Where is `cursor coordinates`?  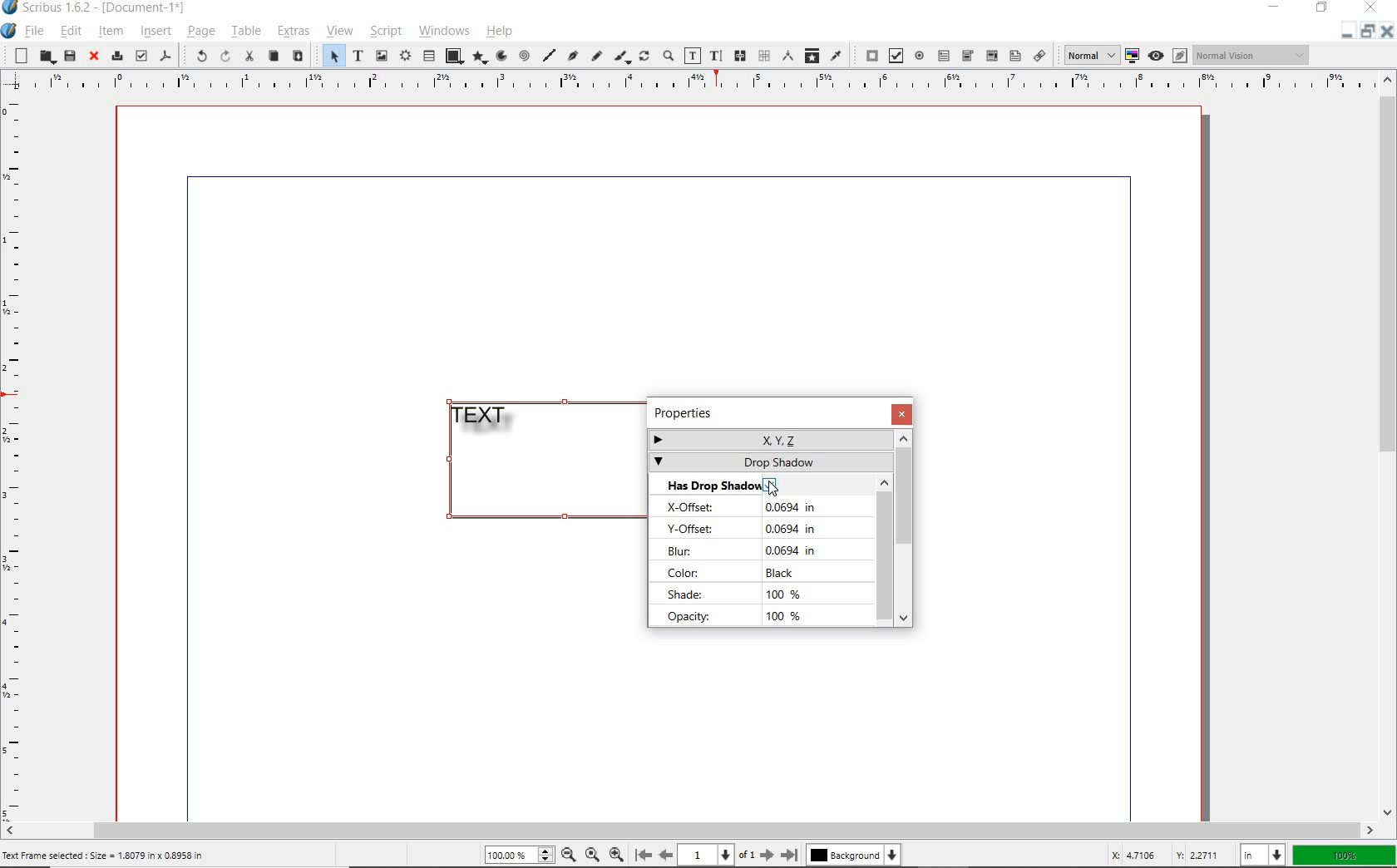 cursor coordinates is located at coordinates (1164, 855).